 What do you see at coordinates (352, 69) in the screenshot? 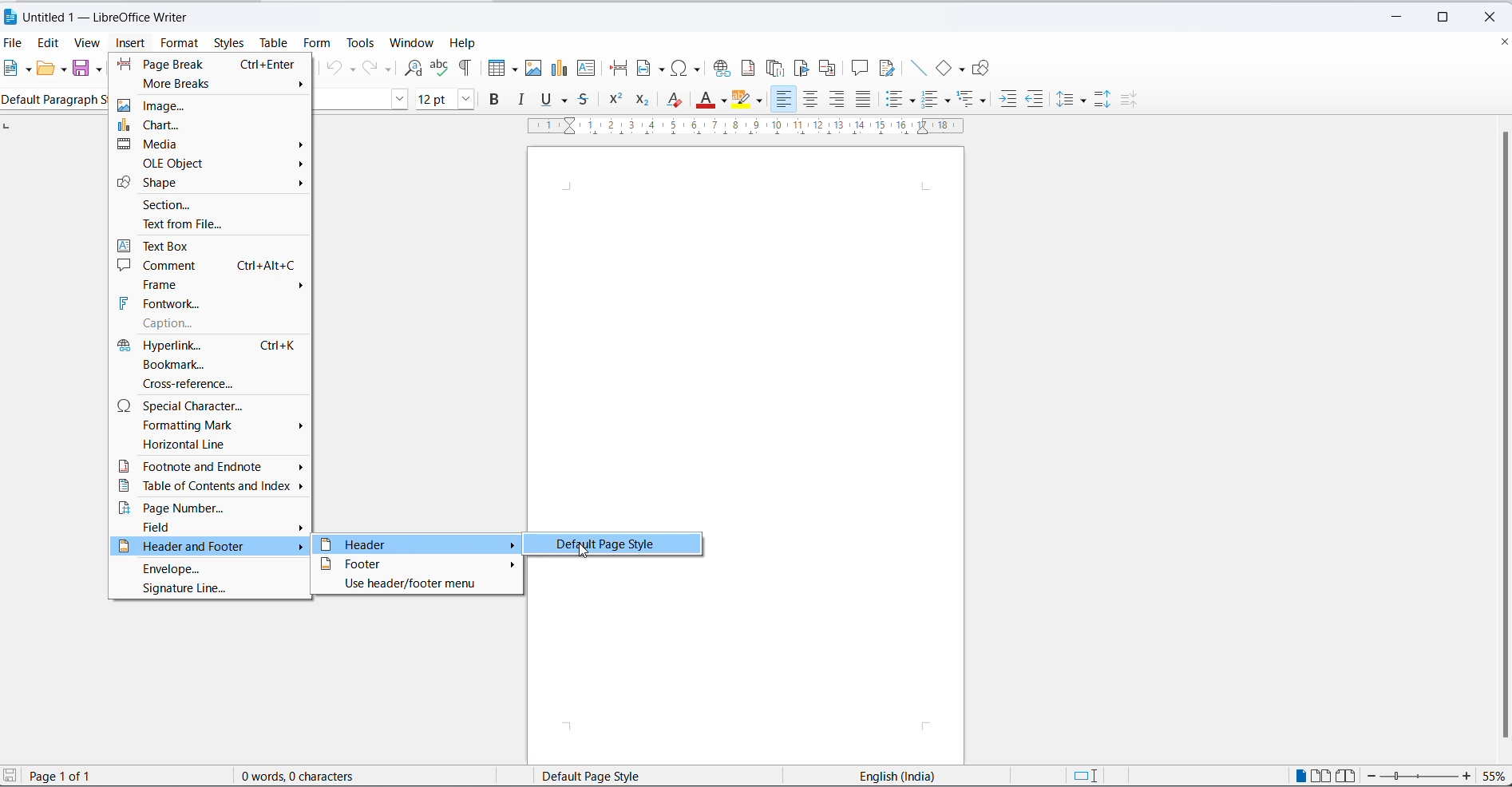
I see `undo options` at bounding box center [352, 69].